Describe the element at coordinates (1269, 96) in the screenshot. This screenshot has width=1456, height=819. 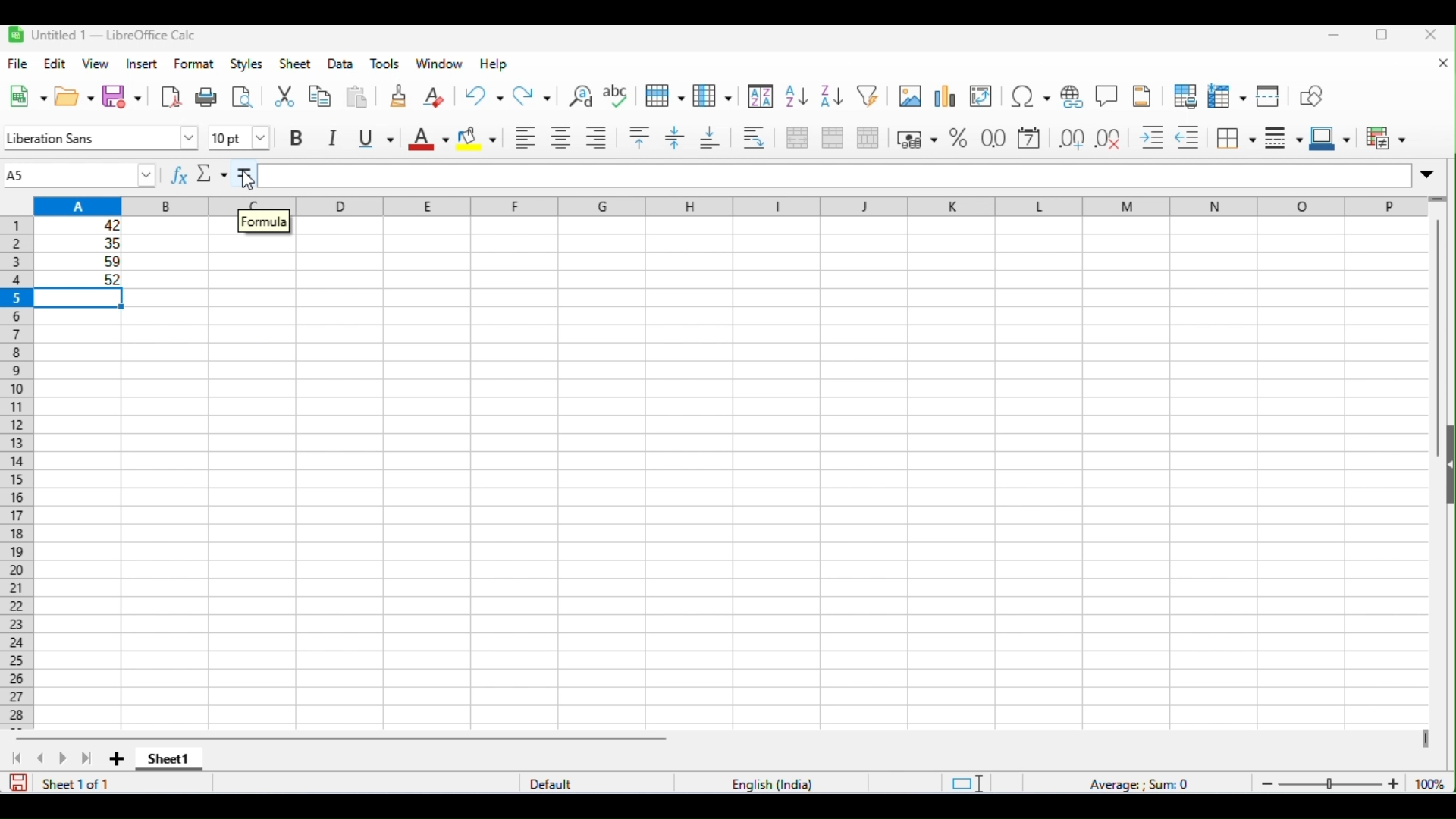
I see `split window` at that location.